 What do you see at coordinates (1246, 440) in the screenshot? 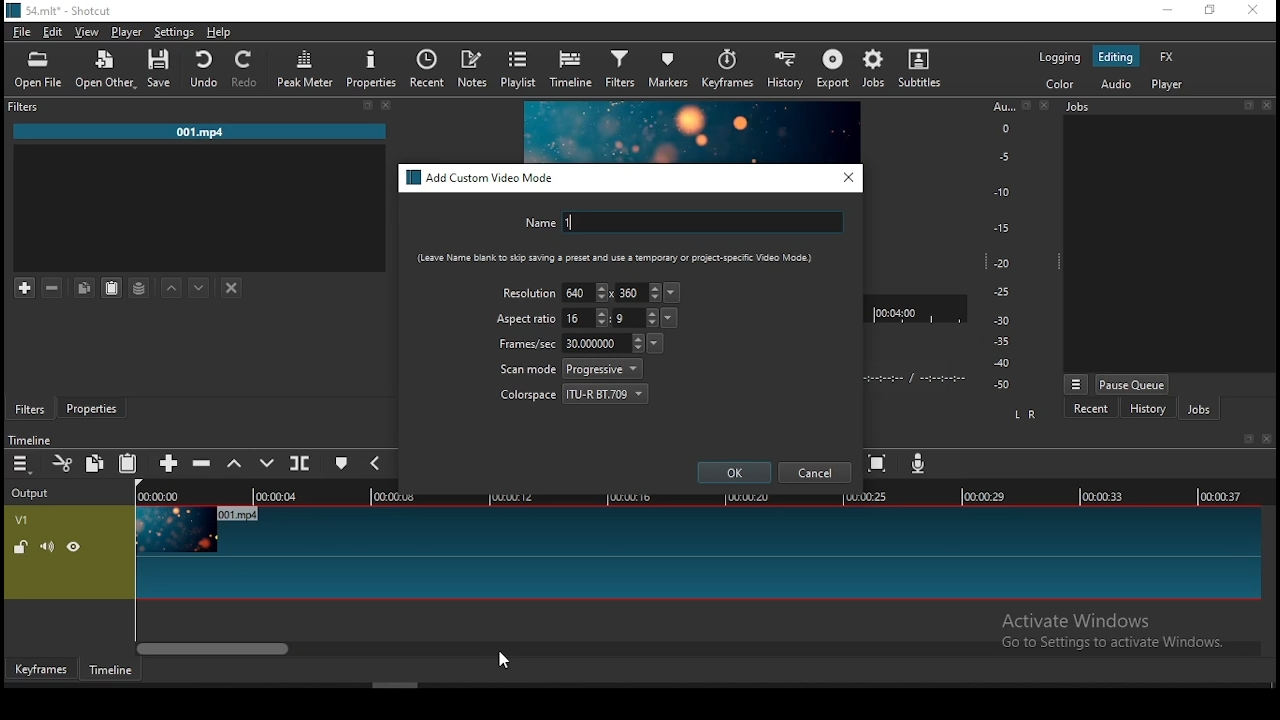
I see `restore` at bounding box center [1246, 440].